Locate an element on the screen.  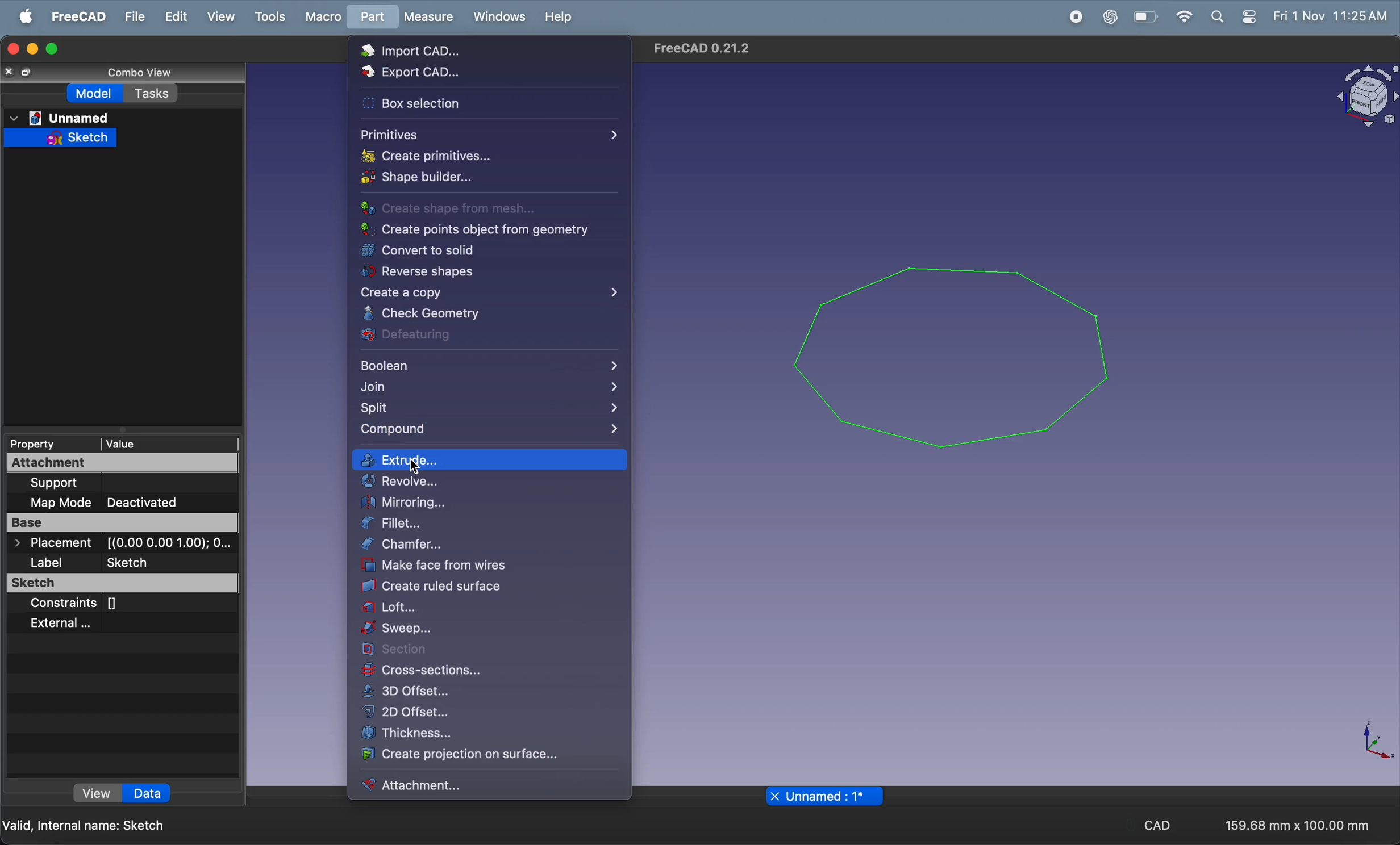
box slection is located at coordinates (428, 102).